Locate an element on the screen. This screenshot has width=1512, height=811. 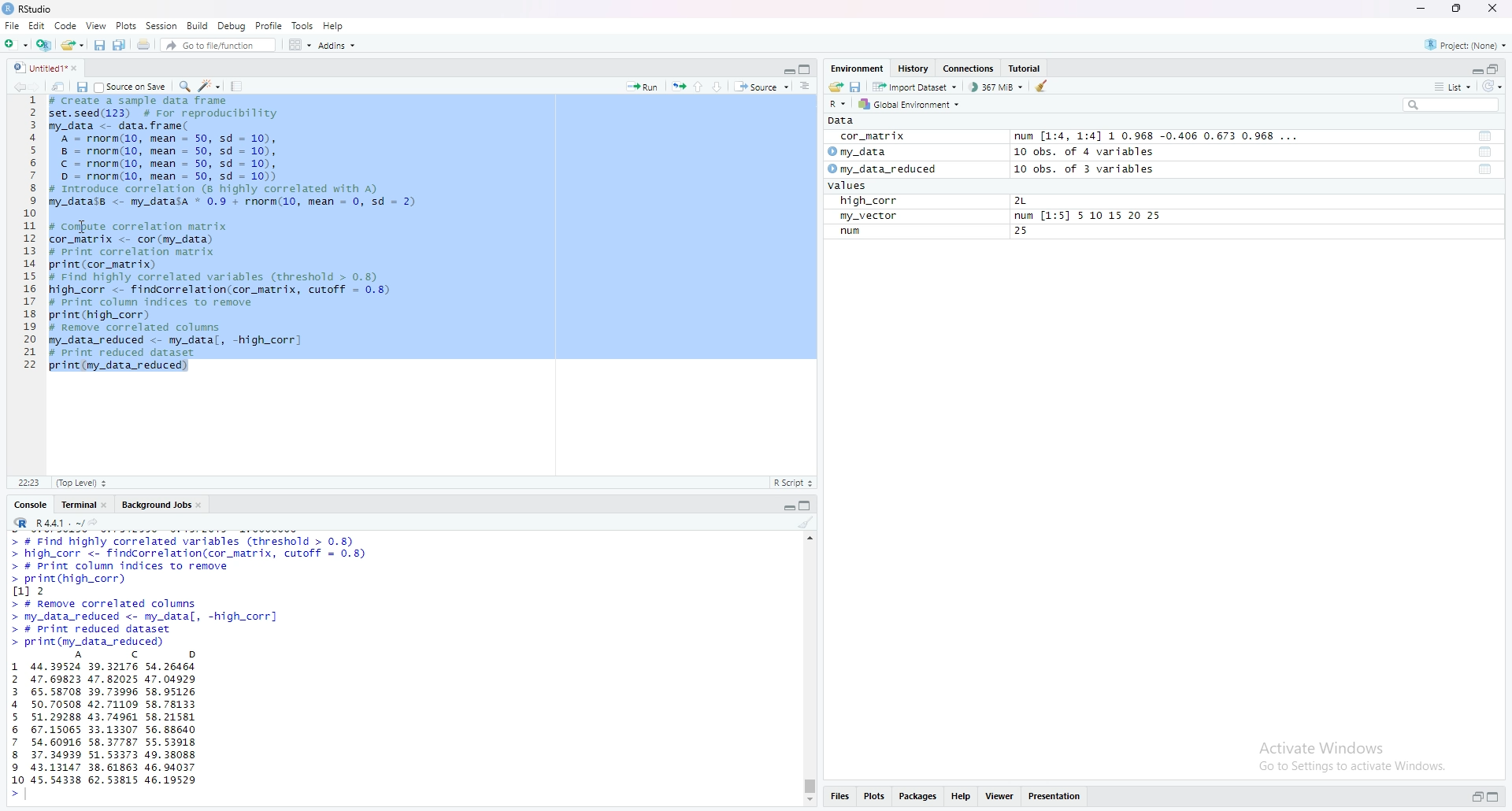
Environment  is located at coordinates (858, 68).